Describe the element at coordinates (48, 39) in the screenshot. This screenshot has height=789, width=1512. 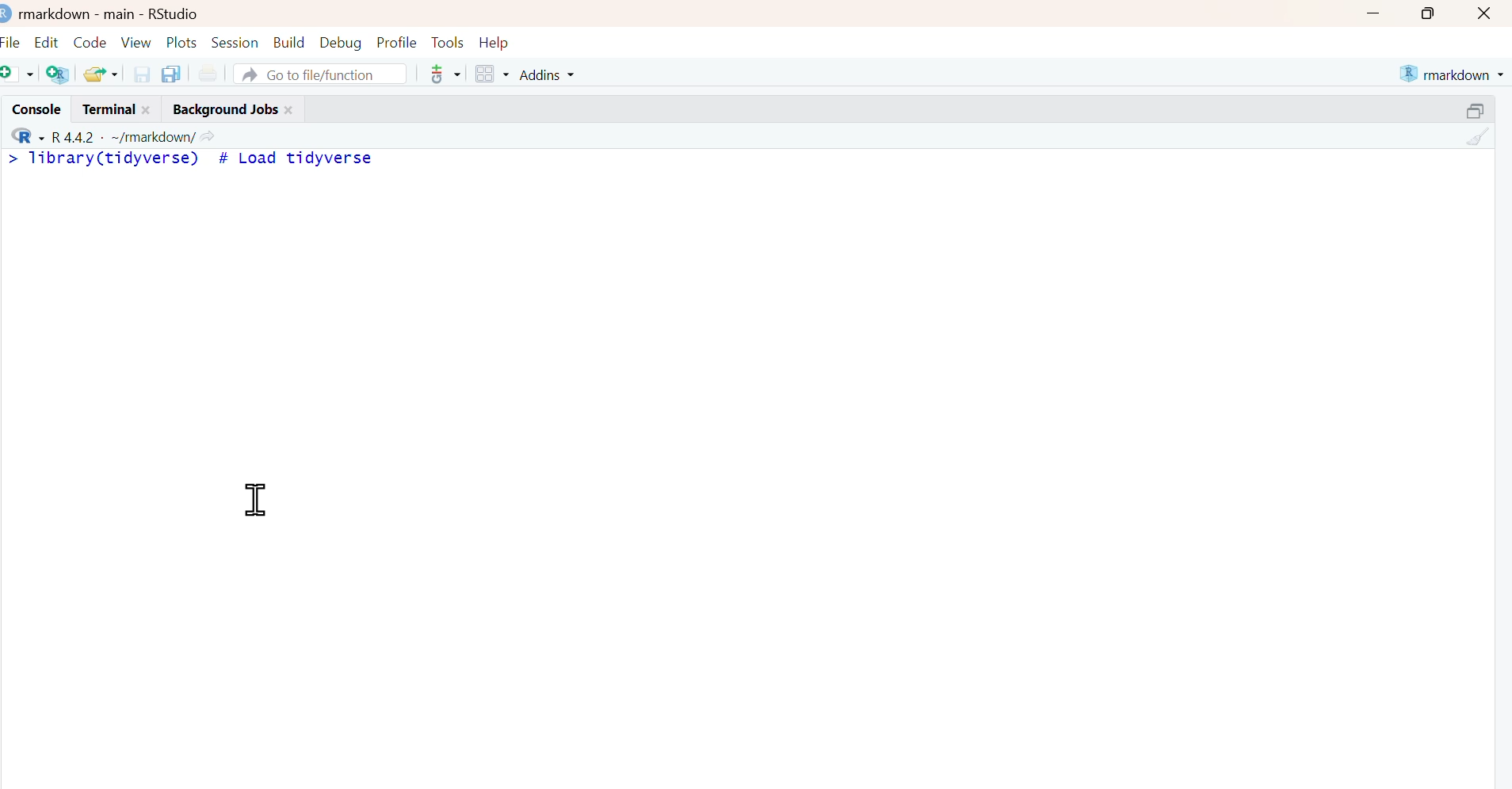
I see `Edit` at that location.